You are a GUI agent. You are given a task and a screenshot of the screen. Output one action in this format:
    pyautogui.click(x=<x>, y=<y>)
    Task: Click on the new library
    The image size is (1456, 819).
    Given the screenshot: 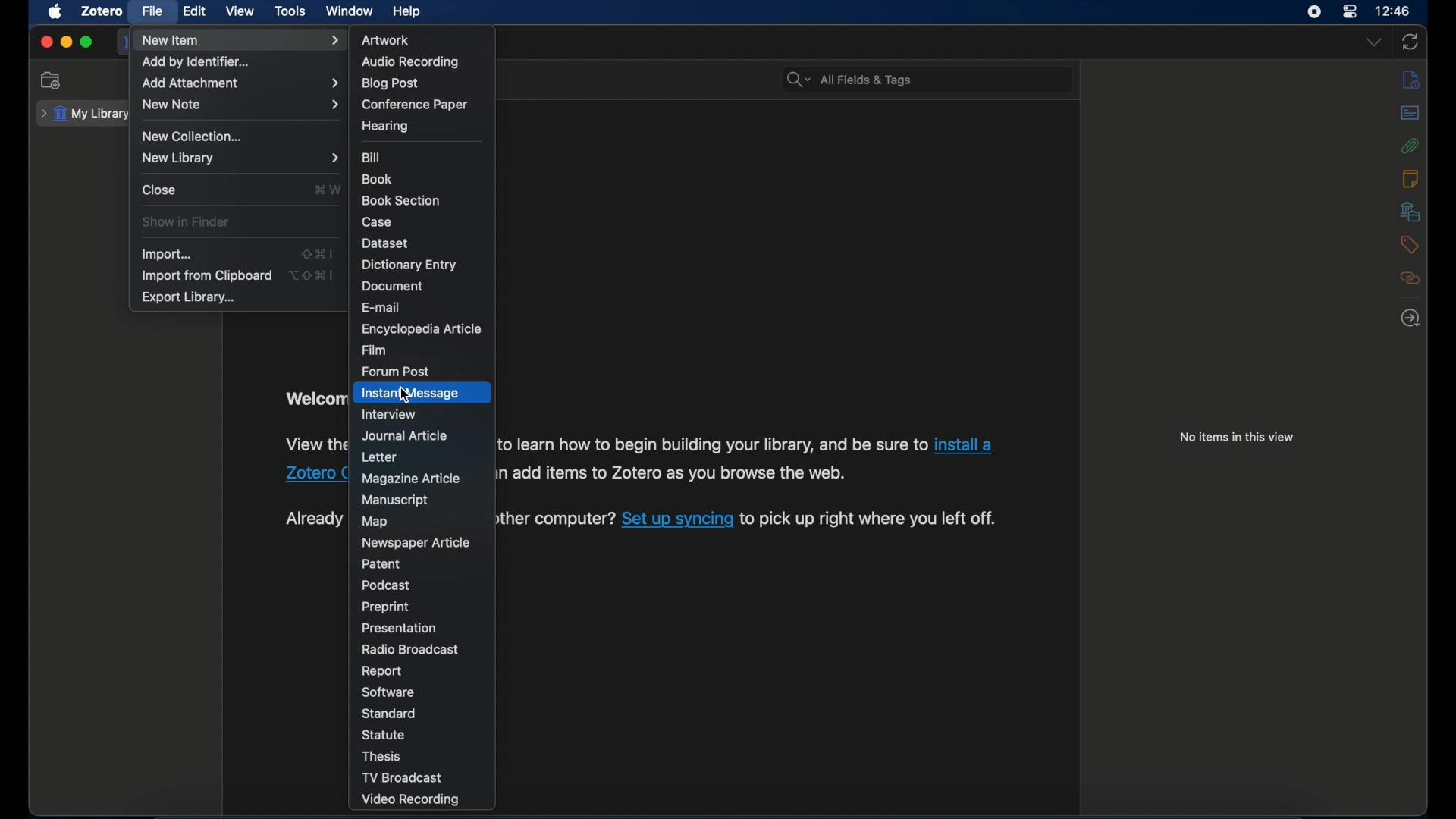 What is the action you would take?
    pyautogui.click(x=240, y=158)
    